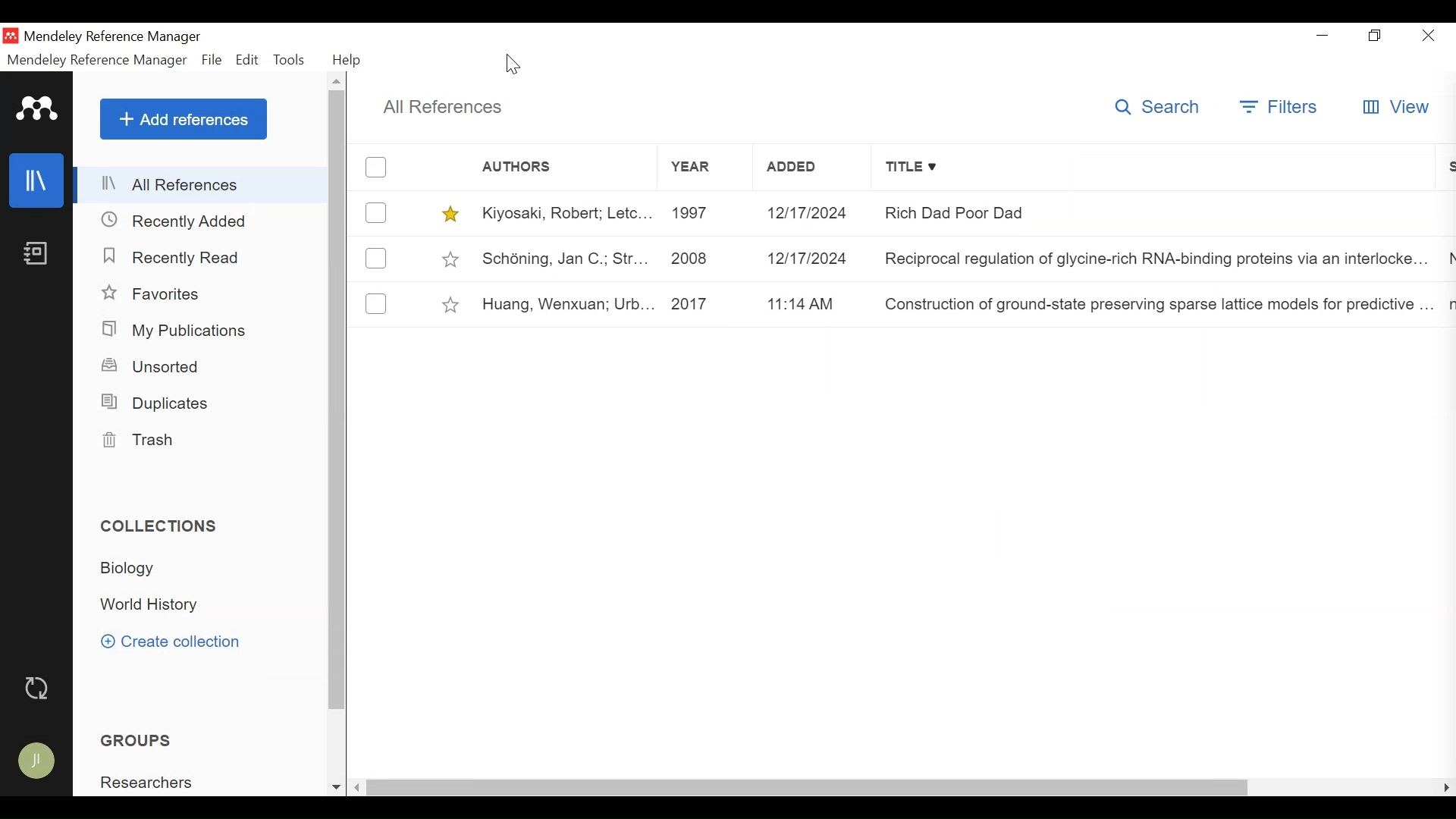 The image size is (1456, 819). What do you see at coordinates (1150, 306) in the screenshot?
I see `Construction of ground-state preserving sparse lattice models for predictive ...` at bounding box center [1150, 306].